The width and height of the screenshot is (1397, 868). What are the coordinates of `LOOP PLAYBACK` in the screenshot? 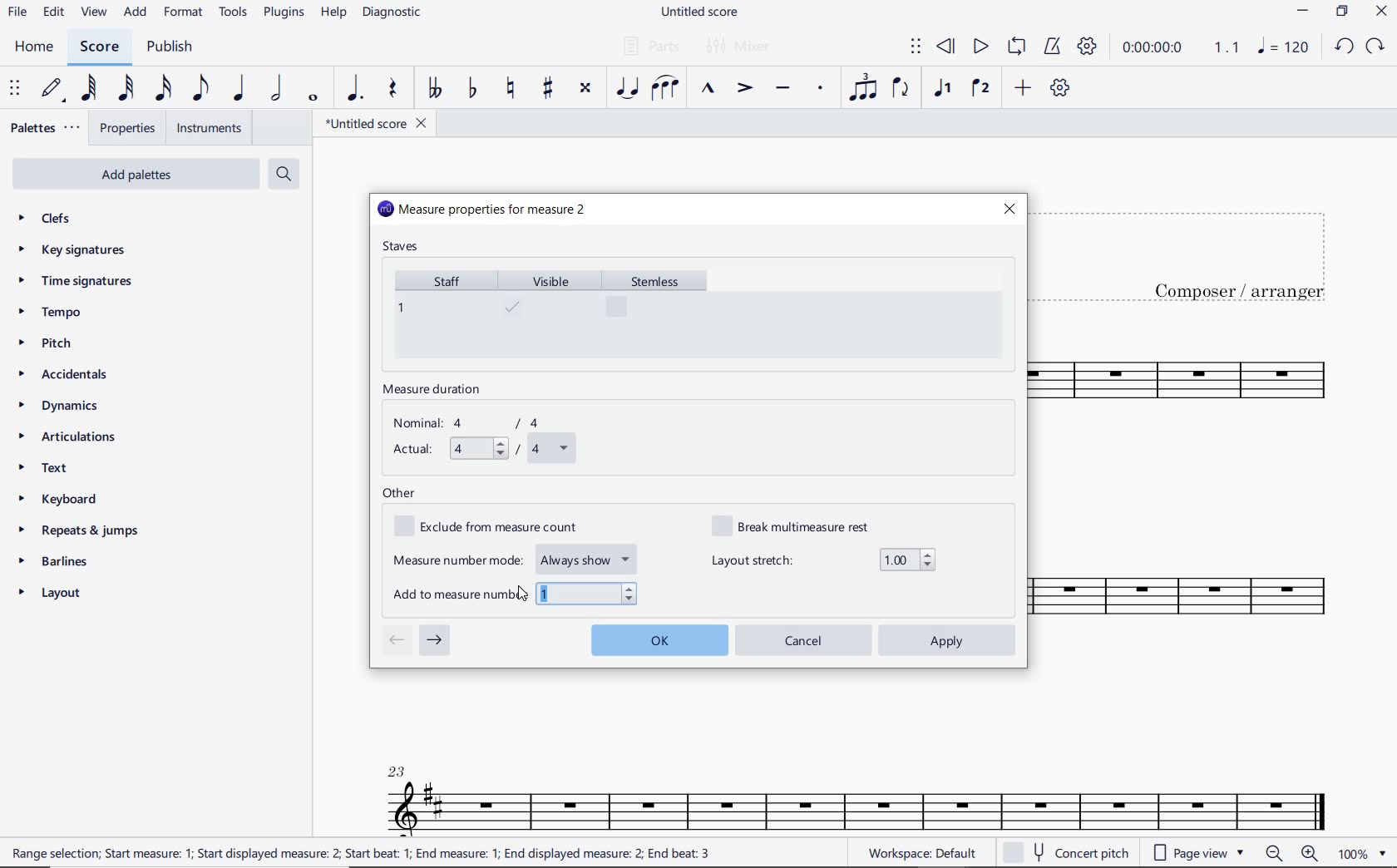 It's located at (1016, 48).